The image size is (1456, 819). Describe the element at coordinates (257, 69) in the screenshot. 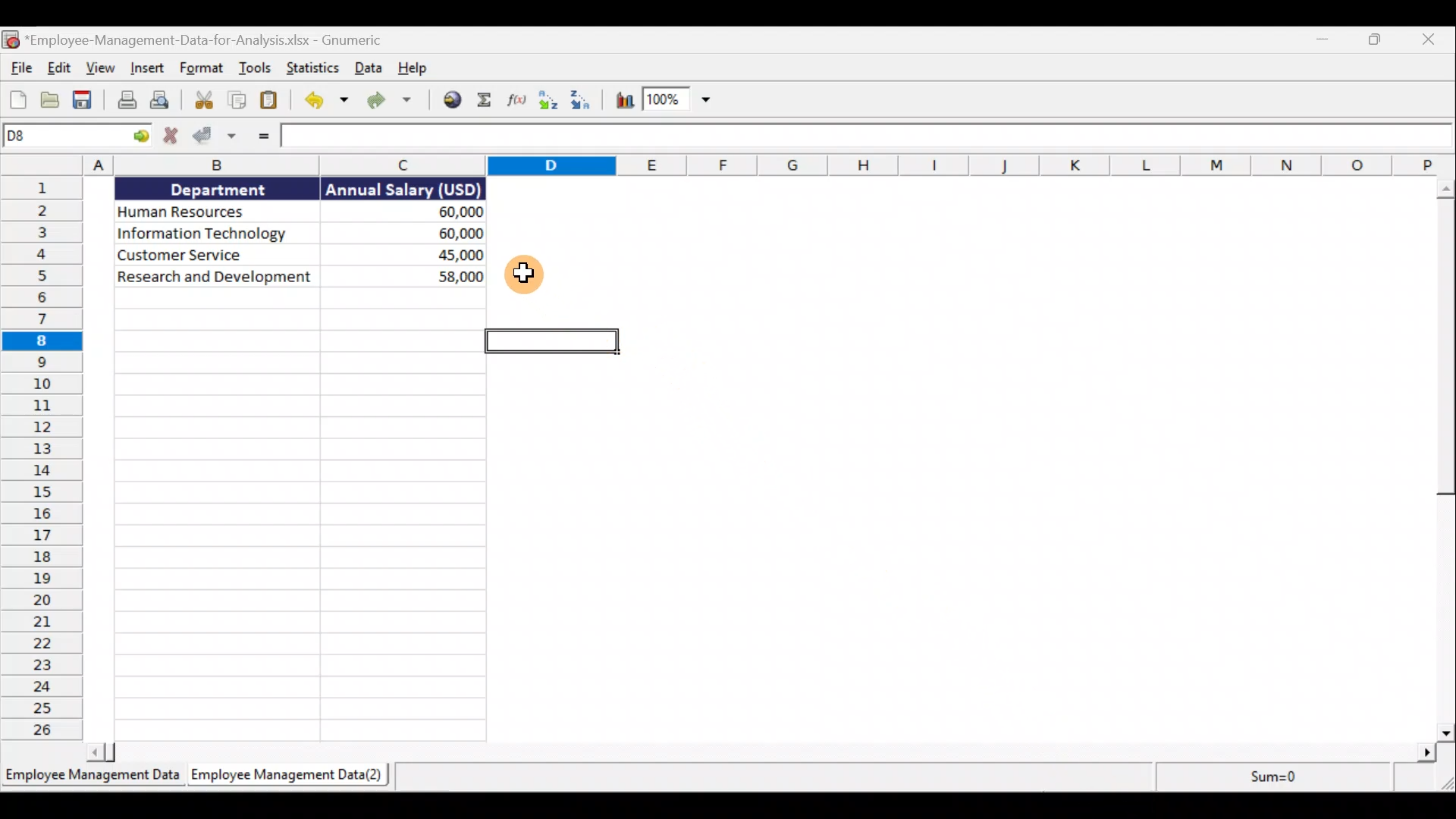

I see `Tools` at that location.